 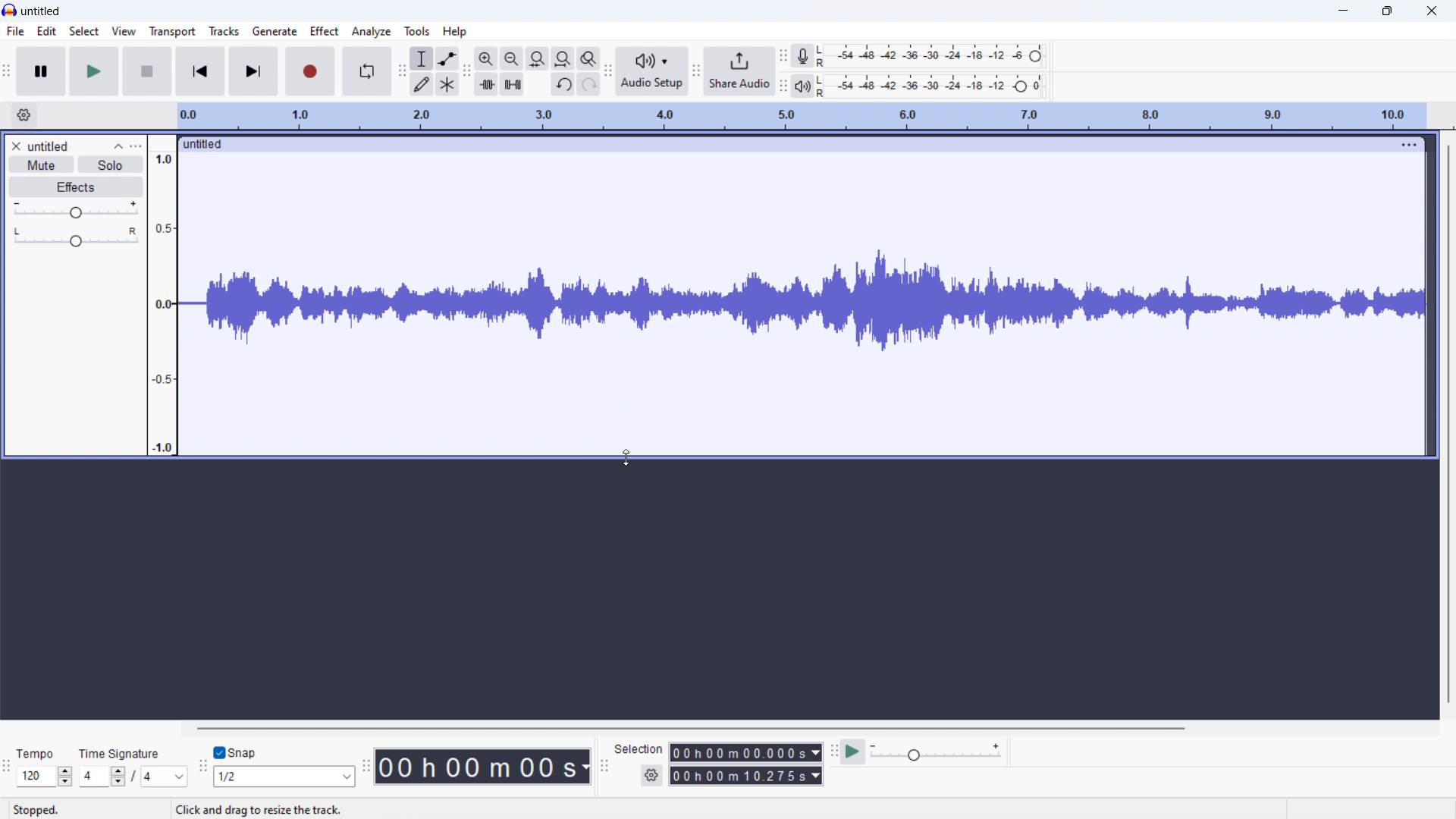 I want to click on title, so click(x=39, y=11).